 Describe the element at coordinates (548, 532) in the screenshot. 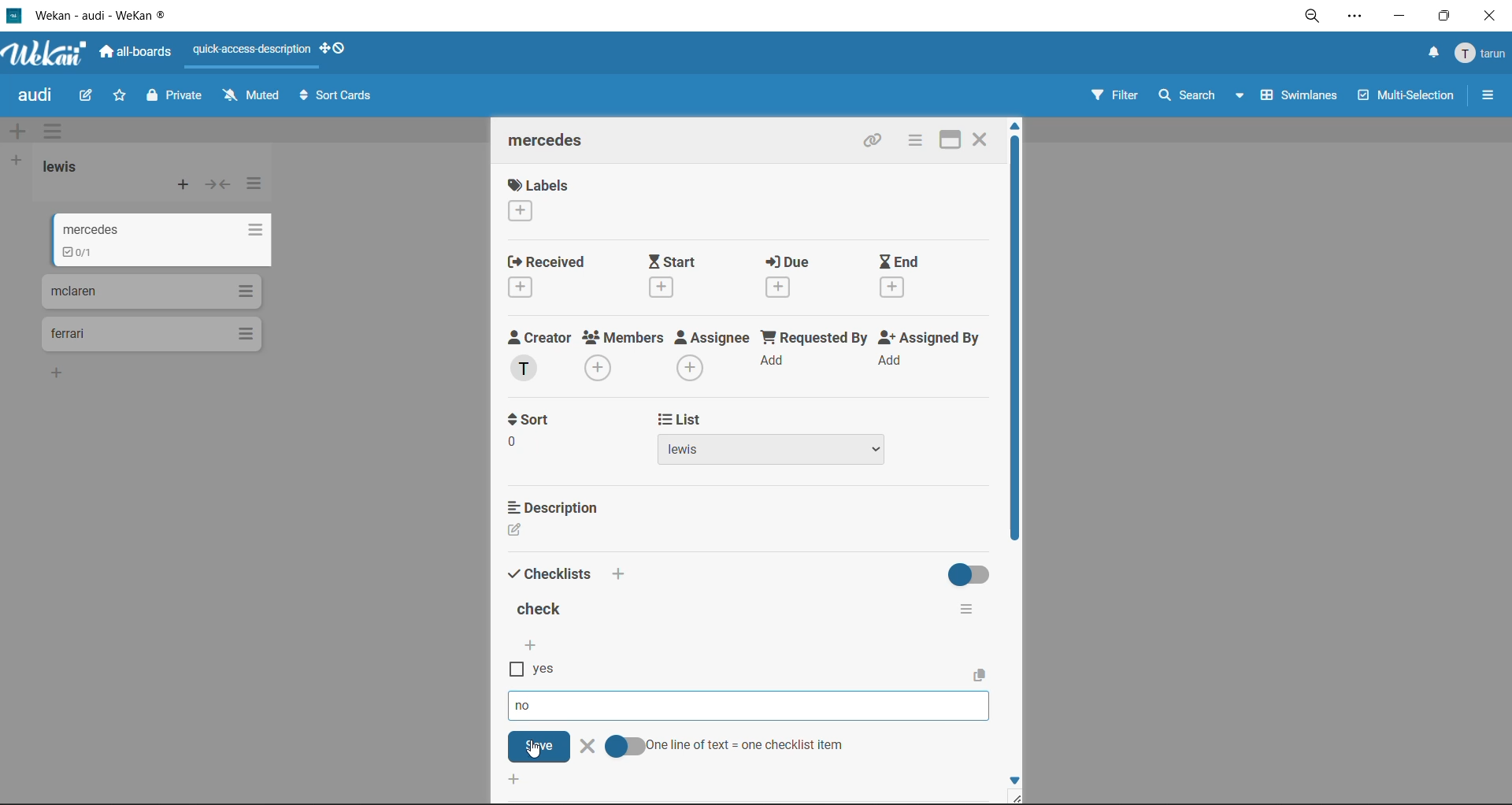

I see `description` at that location.